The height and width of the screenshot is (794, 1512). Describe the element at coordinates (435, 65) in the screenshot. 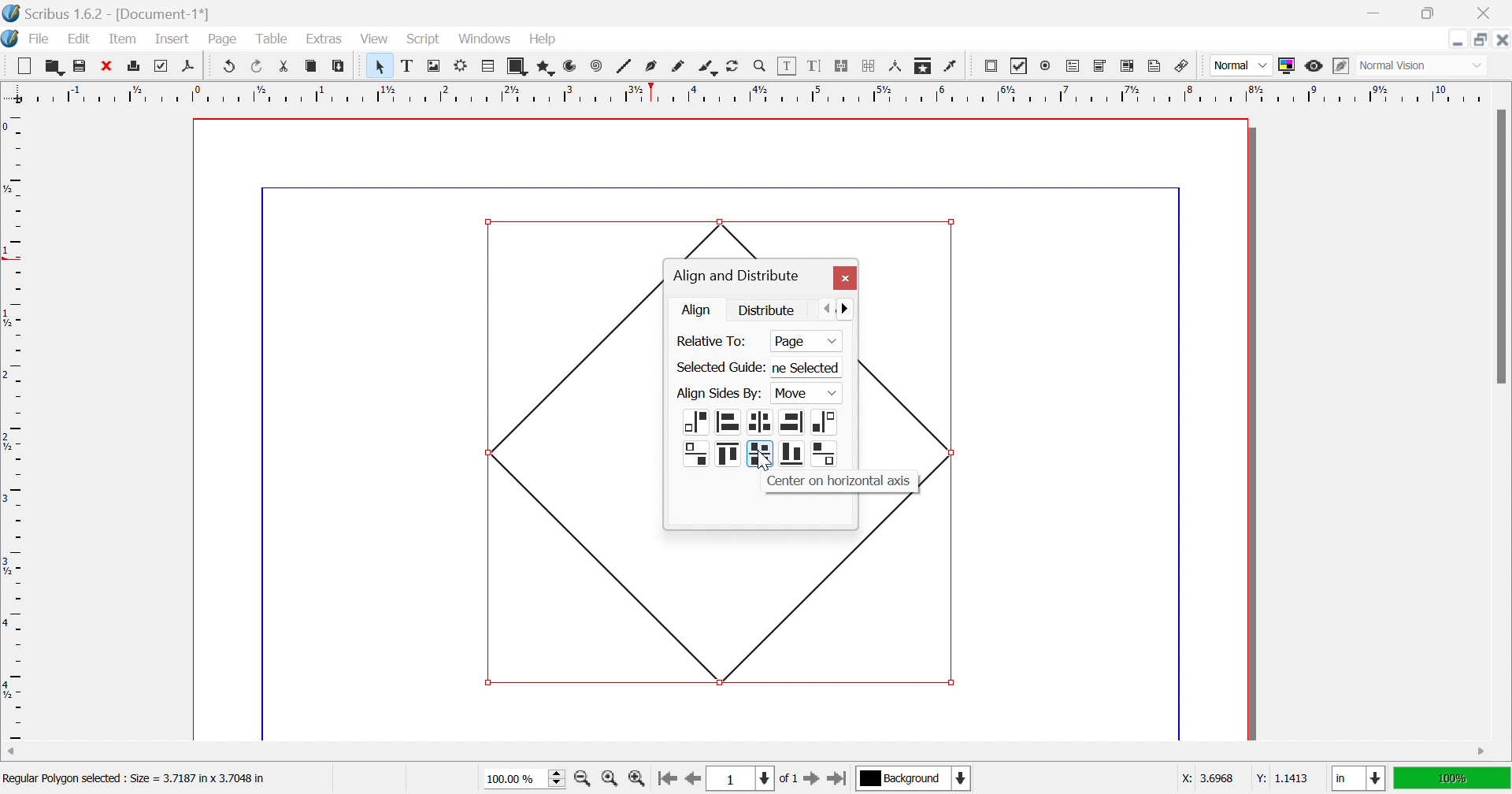

I see `Image frame` at that location.